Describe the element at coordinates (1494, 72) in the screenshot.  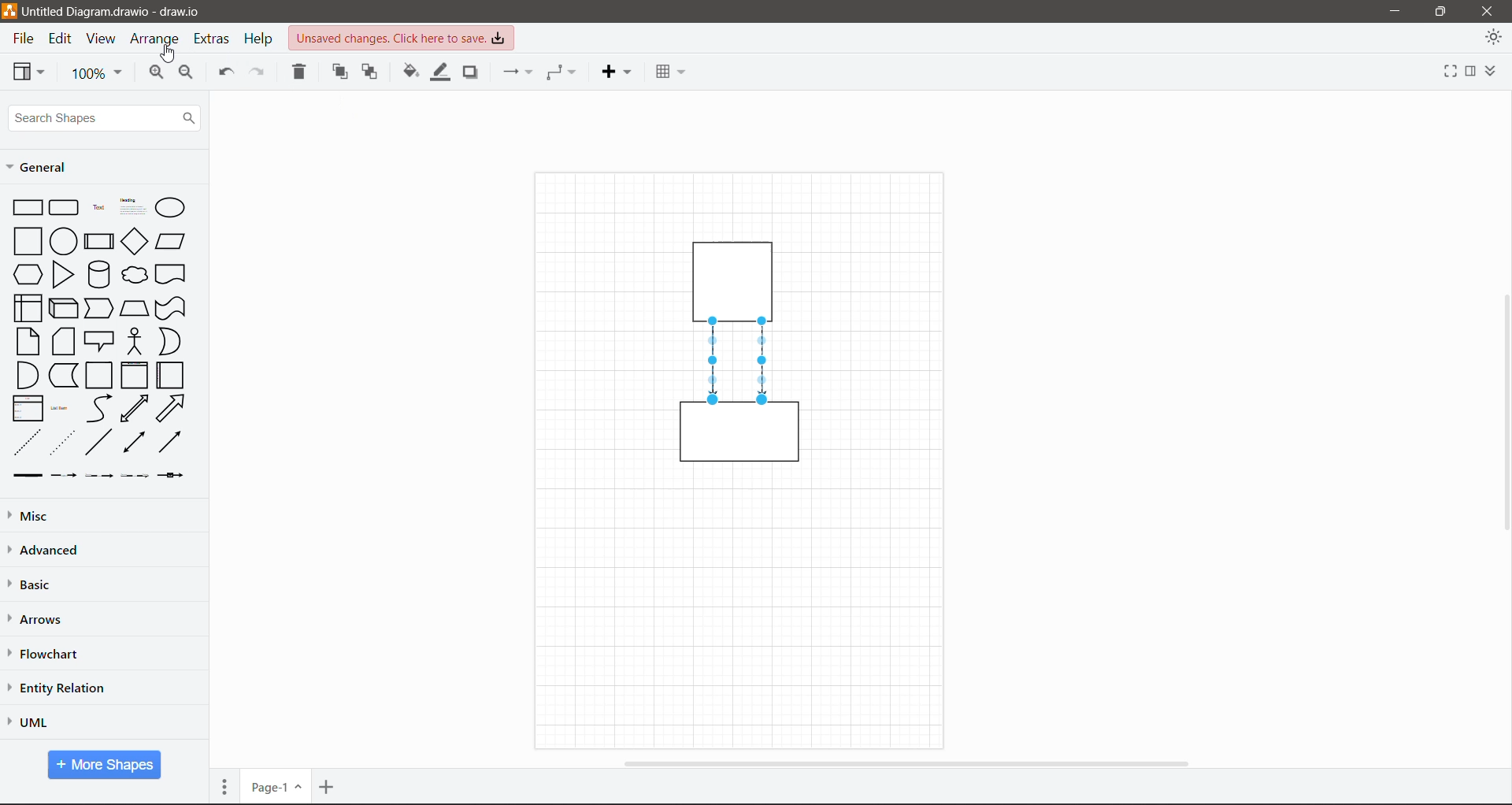
I see `Expand/Collapse` at that location.